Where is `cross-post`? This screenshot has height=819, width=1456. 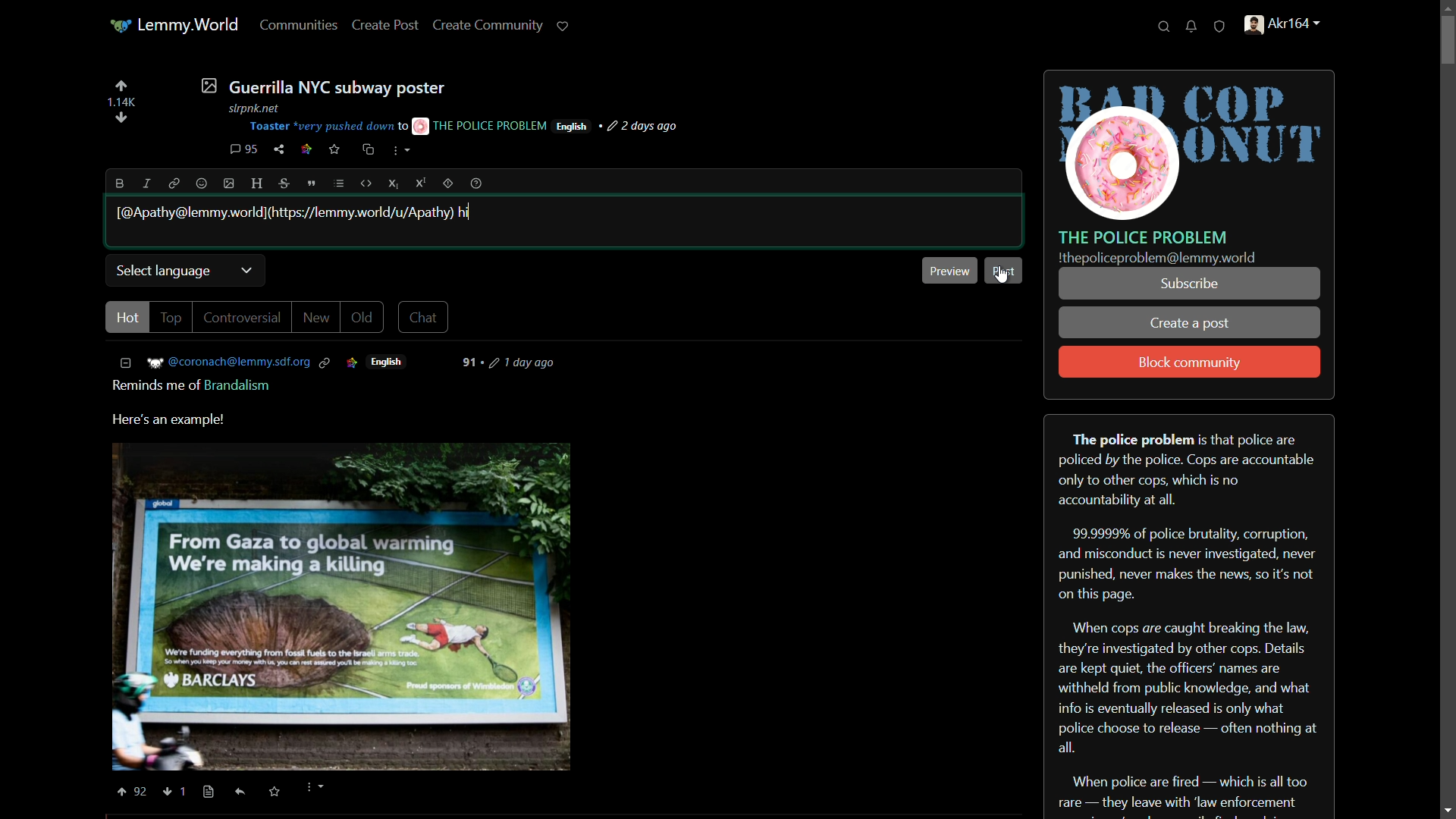 cross-post is located at coordinates (367, 149).